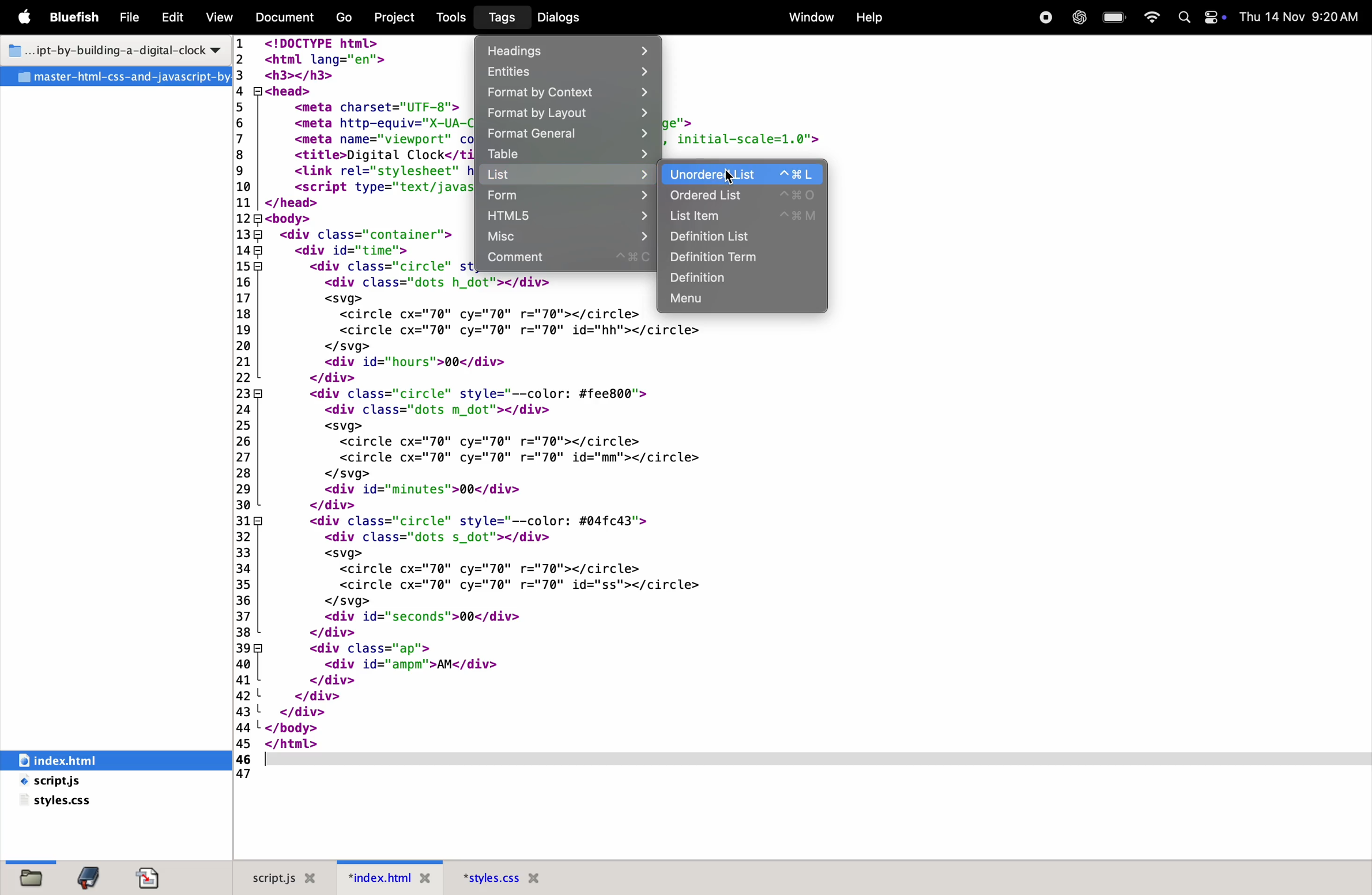 The image size is (1372, 895). What do you see at coordinates (287, 875) in the screenshot?
I see `script.js` at bounding box center [287, 875].